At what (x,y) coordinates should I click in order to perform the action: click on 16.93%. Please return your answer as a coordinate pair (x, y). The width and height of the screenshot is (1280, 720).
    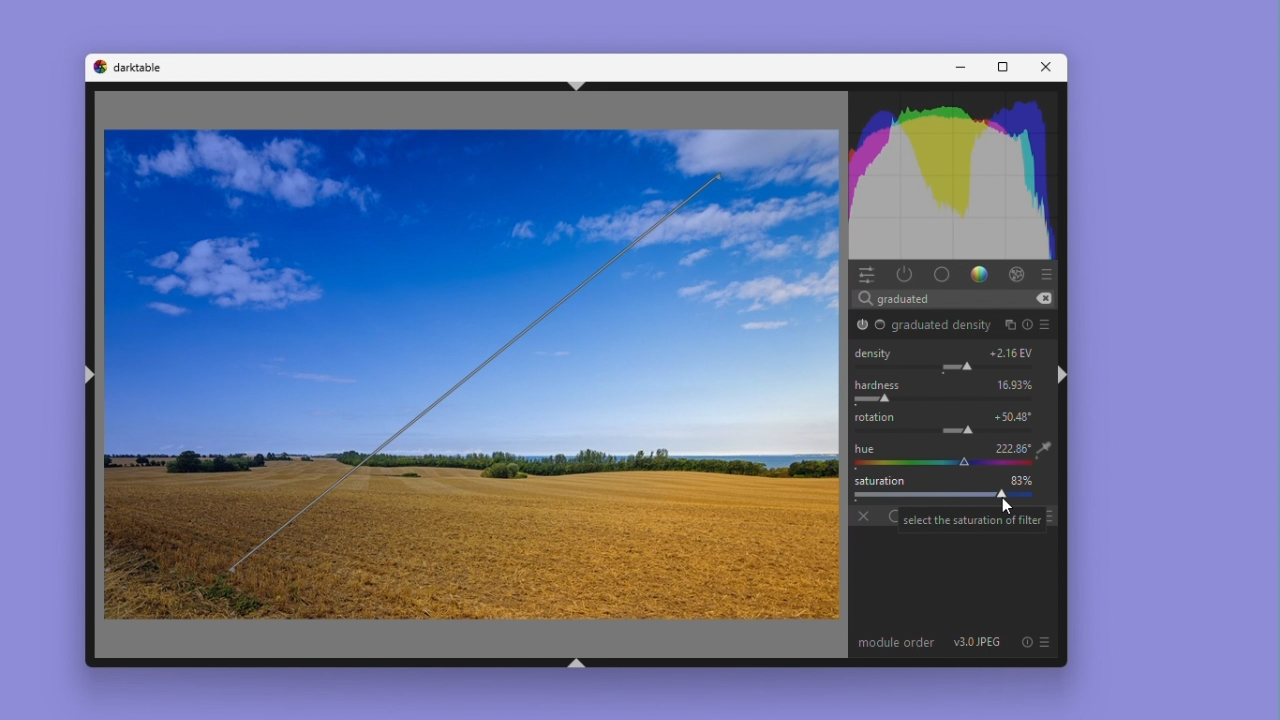
    Looking at the image, I should click on (1011, 384).